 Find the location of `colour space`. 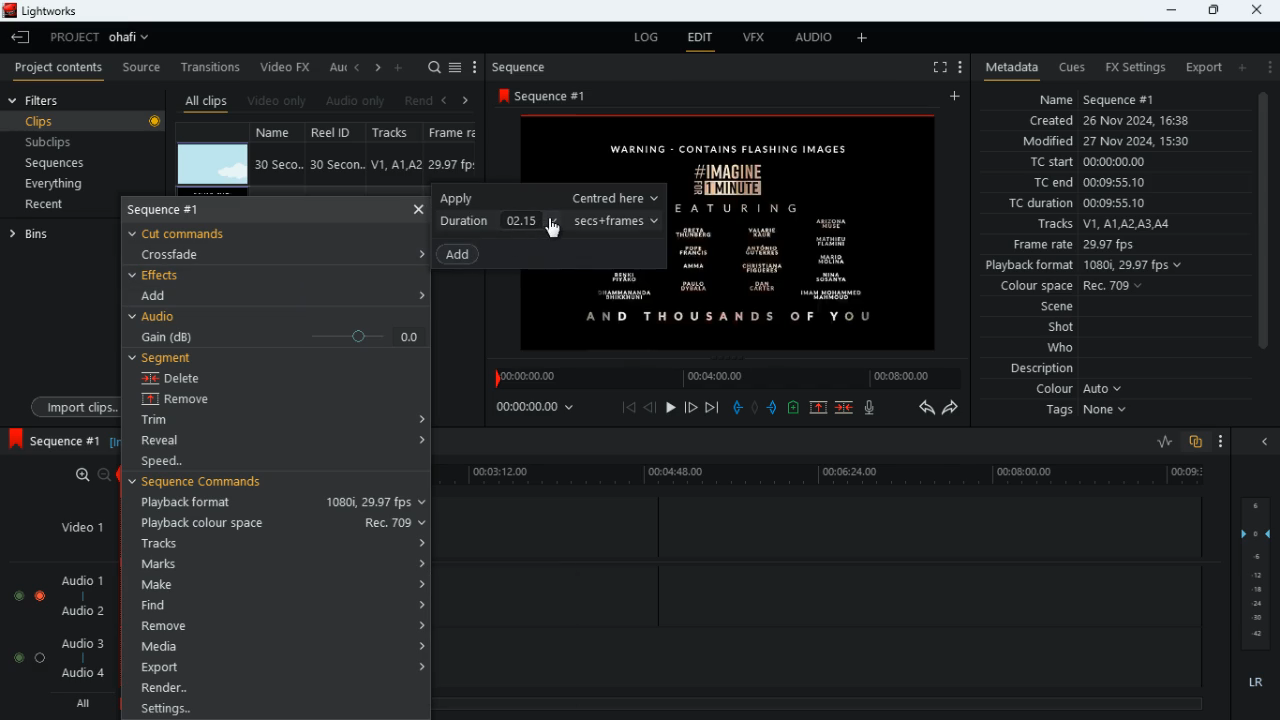

colour space is located at coordinates (1066, 287).